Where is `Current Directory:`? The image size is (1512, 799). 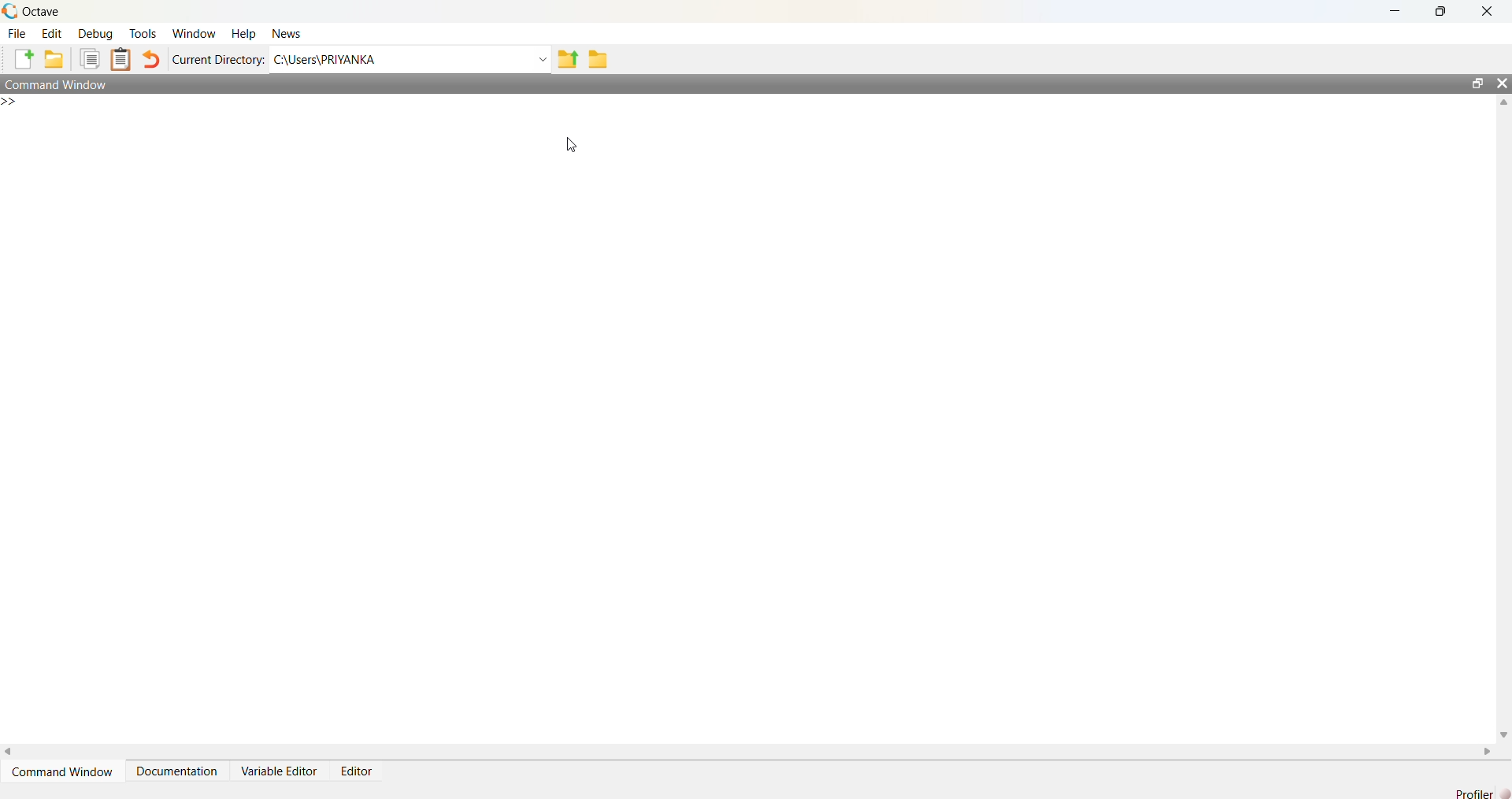 Current Directory: is located at coordinates (218, 59).